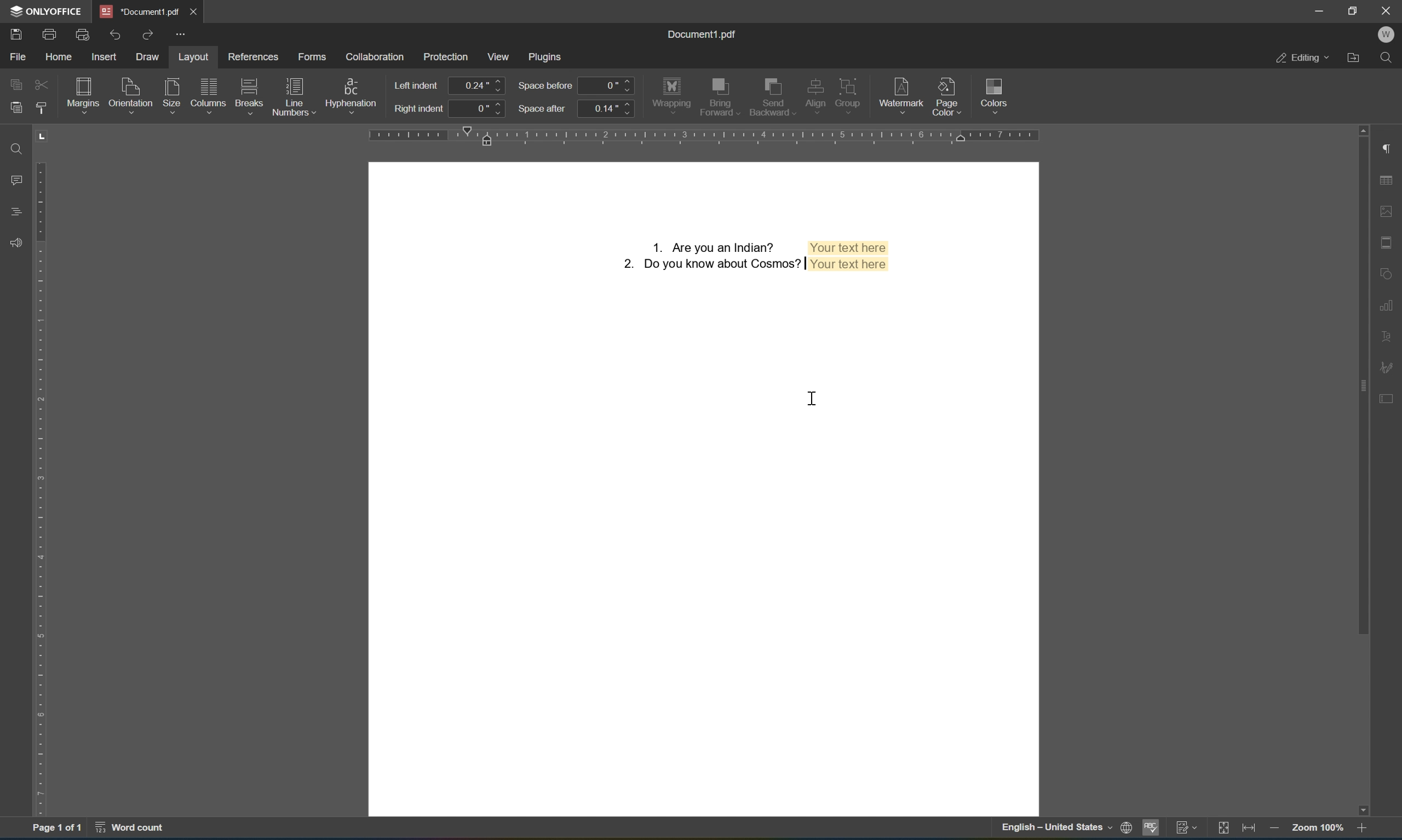  Describe the element at coordinates (1388, 309) in the screenshot. I see `chart settings` at that location.